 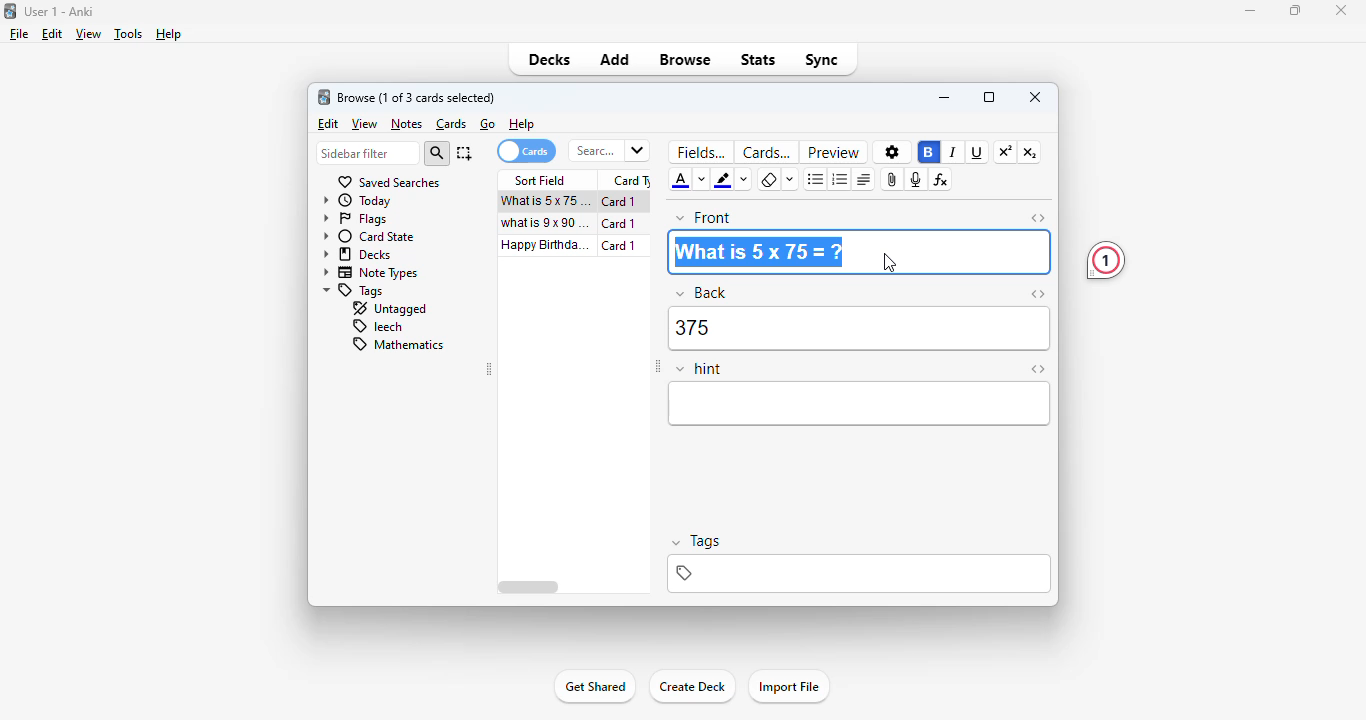 I want to click on 1, so click(x=1106, y=261).